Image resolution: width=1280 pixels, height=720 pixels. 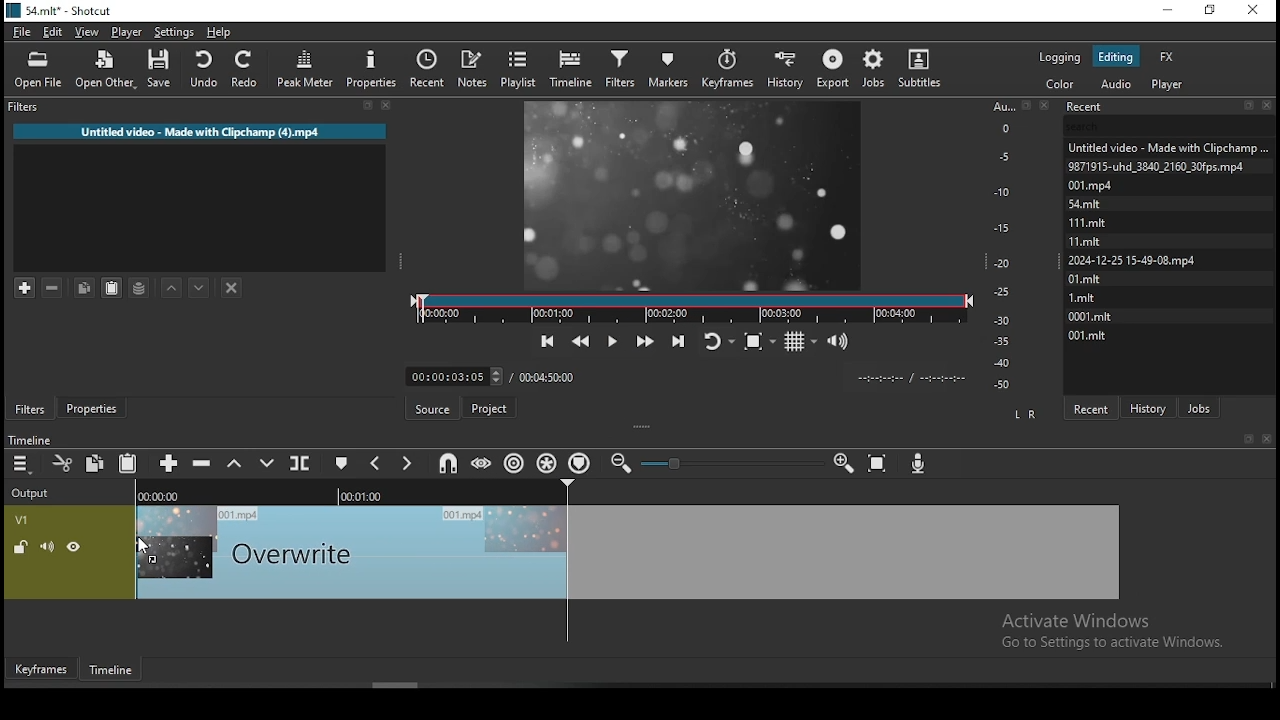 I want to click on jobs, so click(x=873, y=69).